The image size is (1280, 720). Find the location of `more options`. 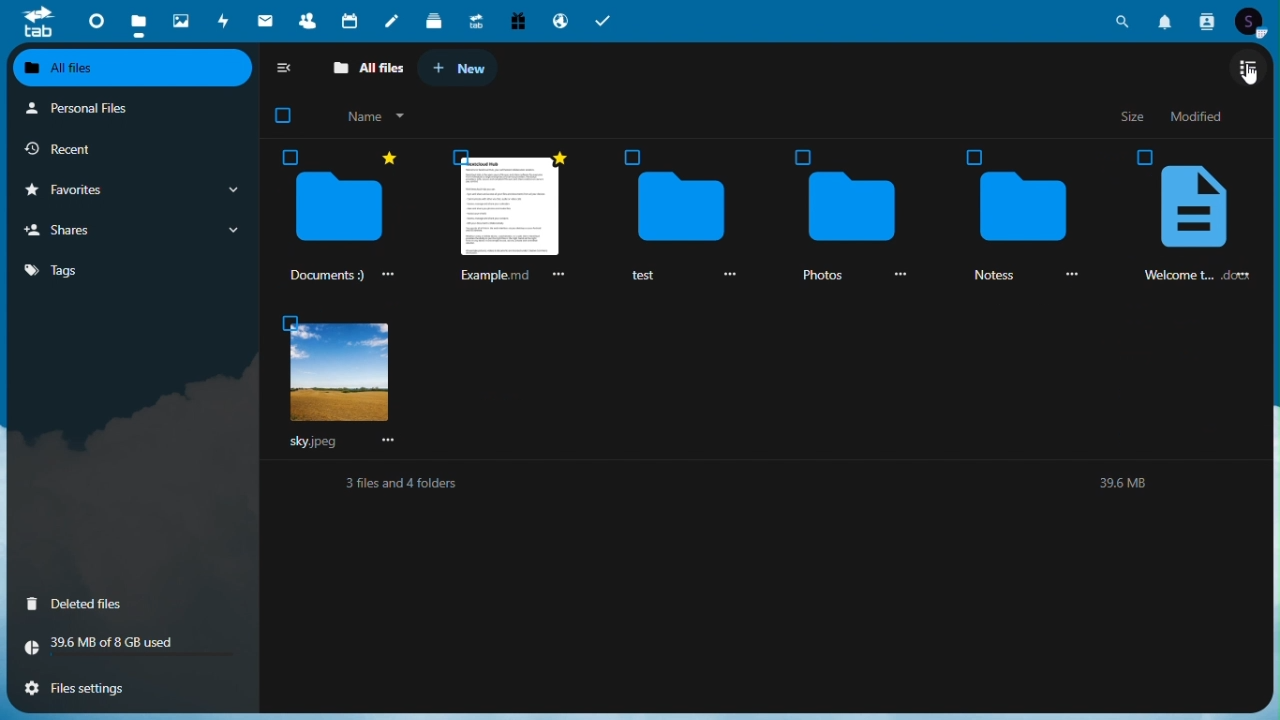

more options is located at coordinates (1072, 275).